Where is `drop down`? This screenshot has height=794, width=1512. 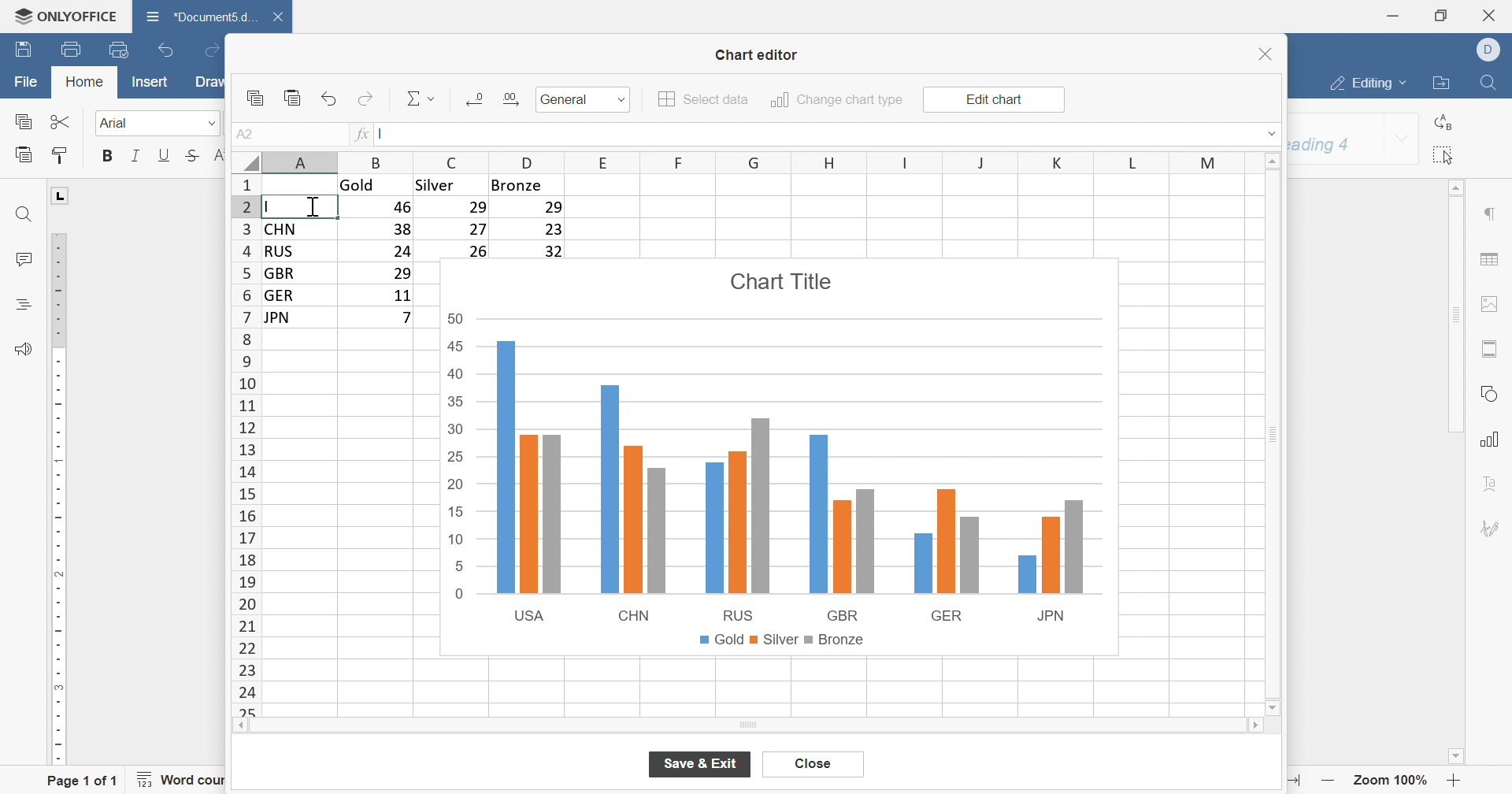
drop down is located at coordinates (211, 124).